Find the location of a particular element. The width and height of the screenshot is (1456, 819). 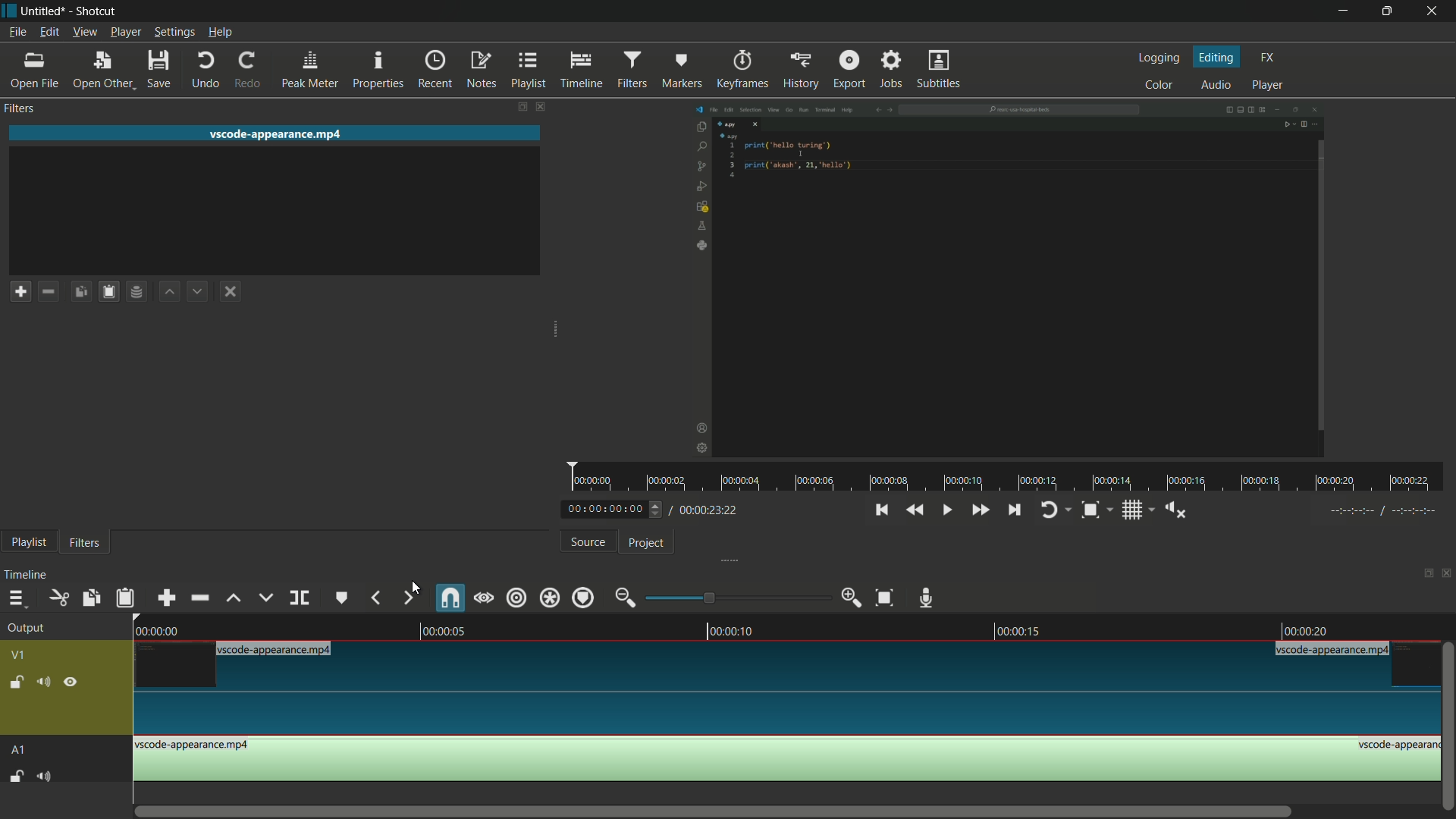

export is located at coordinates (849, 71).